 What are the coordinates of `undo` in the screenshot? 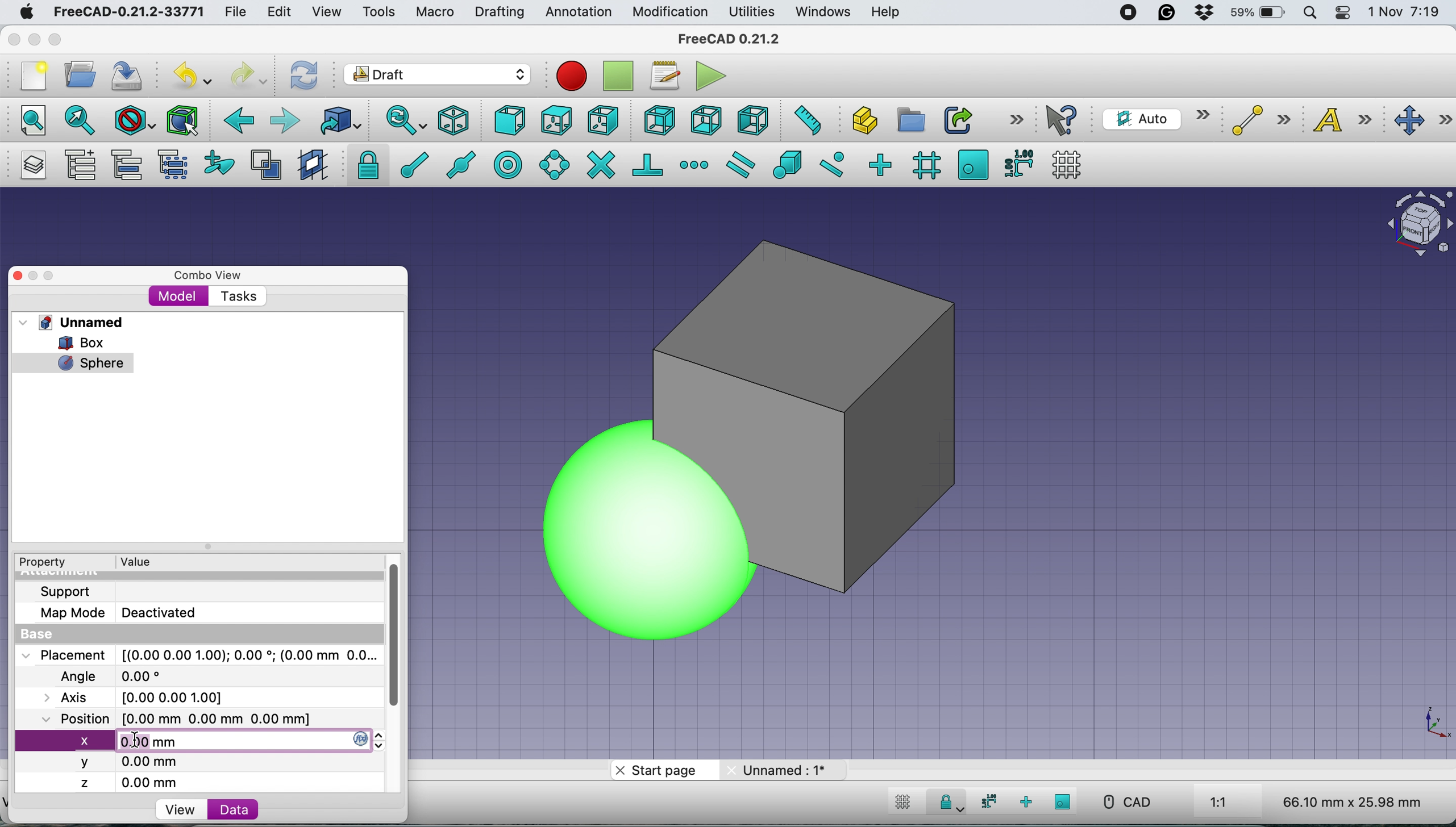 It's located at (194, 74).